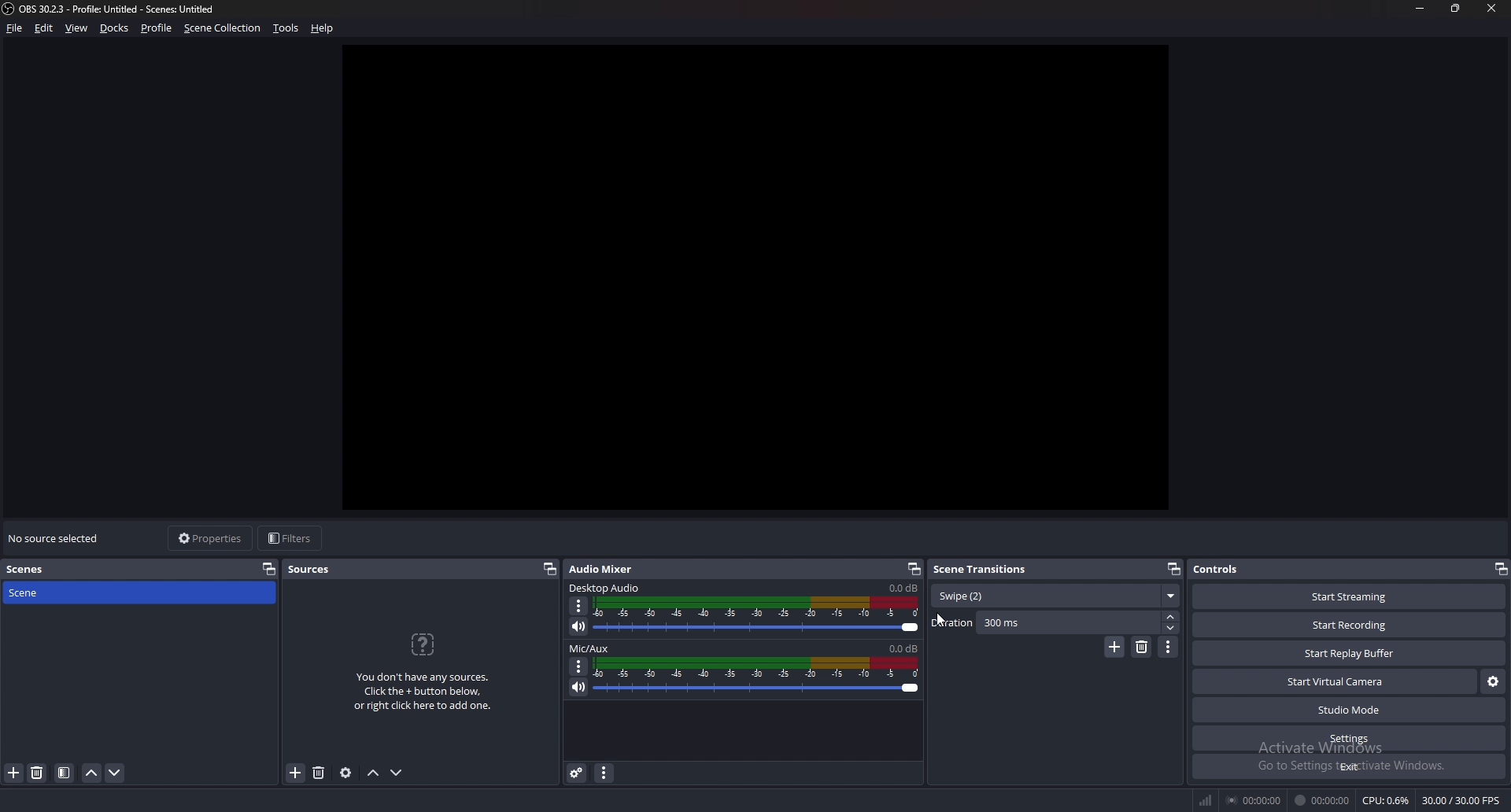 The height and width of the screenshot is (812, 1511). Describe the element at coordinates (1420, 9) in the screenshot. I see `minimize` at that location.